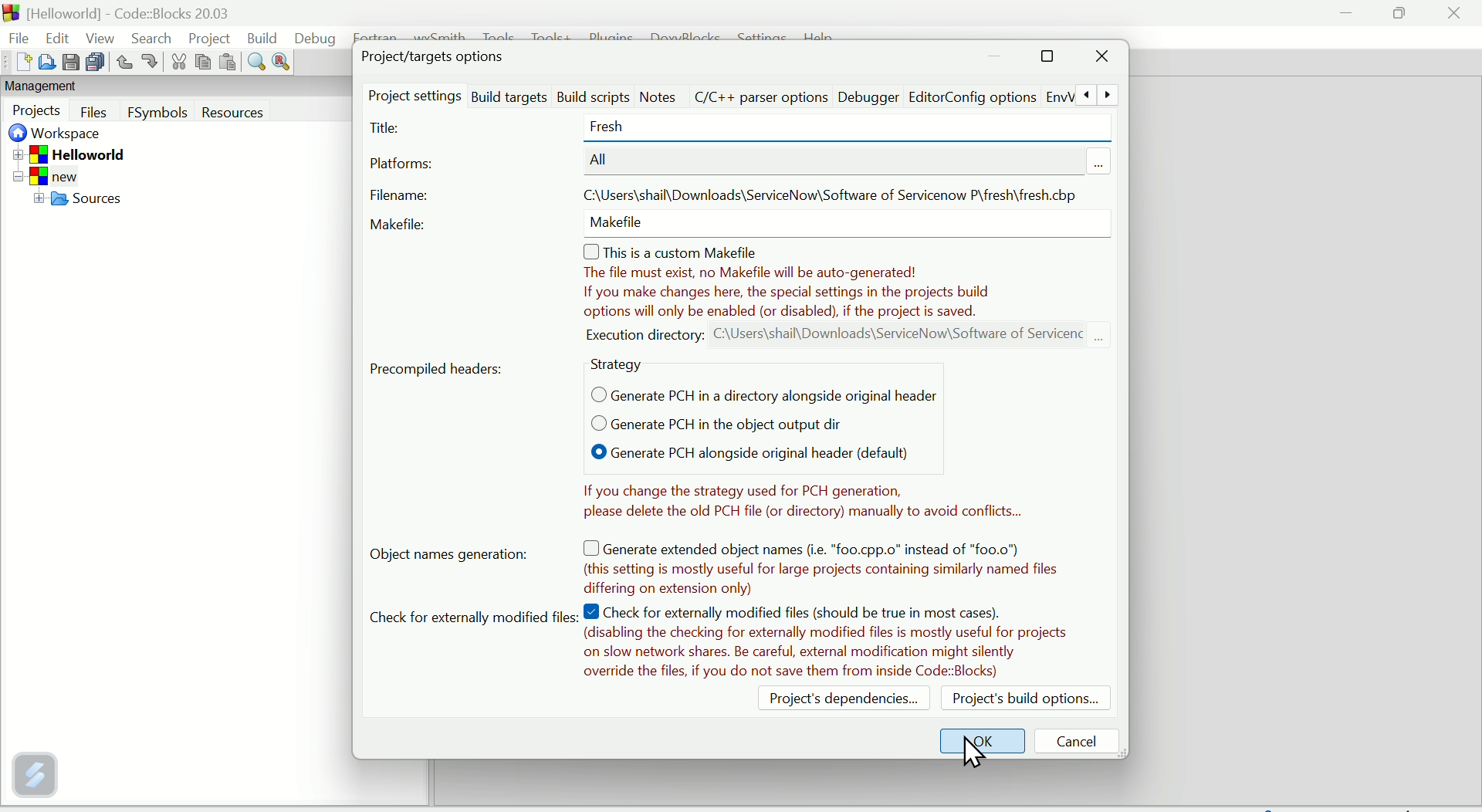 The height and width of the screenshot is (812, 1482). I want to click on  Generate BCH alongside original header, so click(732, 454).